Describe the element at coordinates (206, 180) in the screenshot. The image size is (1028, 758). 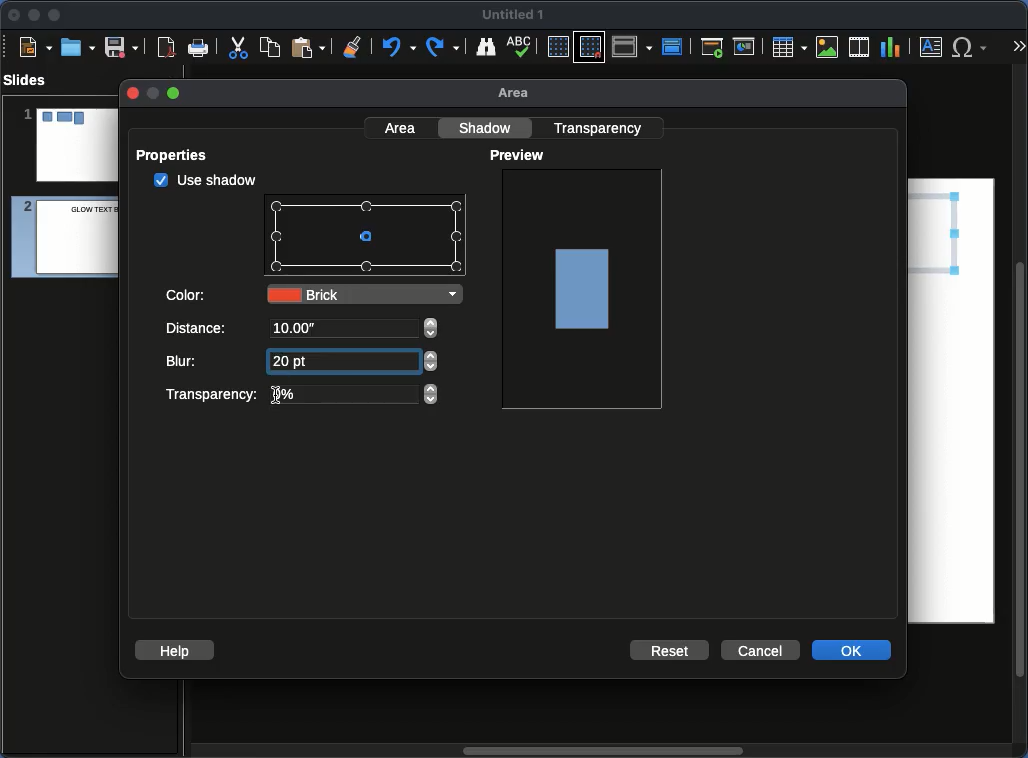
I see `checked Use shadow` at that location.